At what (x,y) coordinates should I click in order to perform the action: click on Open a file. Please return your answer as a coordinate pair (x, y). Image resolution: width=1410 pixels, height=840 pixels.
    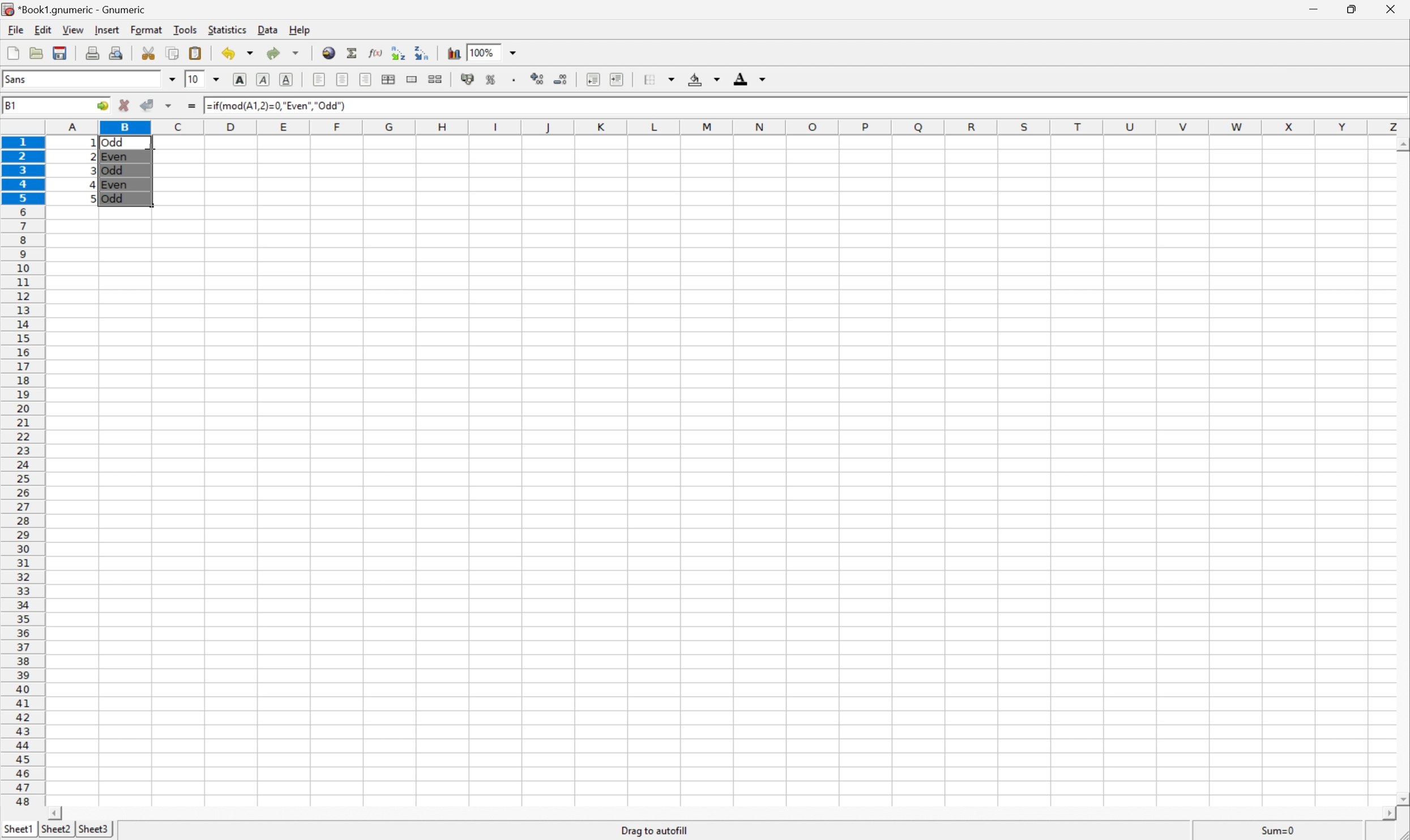
    Looking at the image, I should click on (36, 53).